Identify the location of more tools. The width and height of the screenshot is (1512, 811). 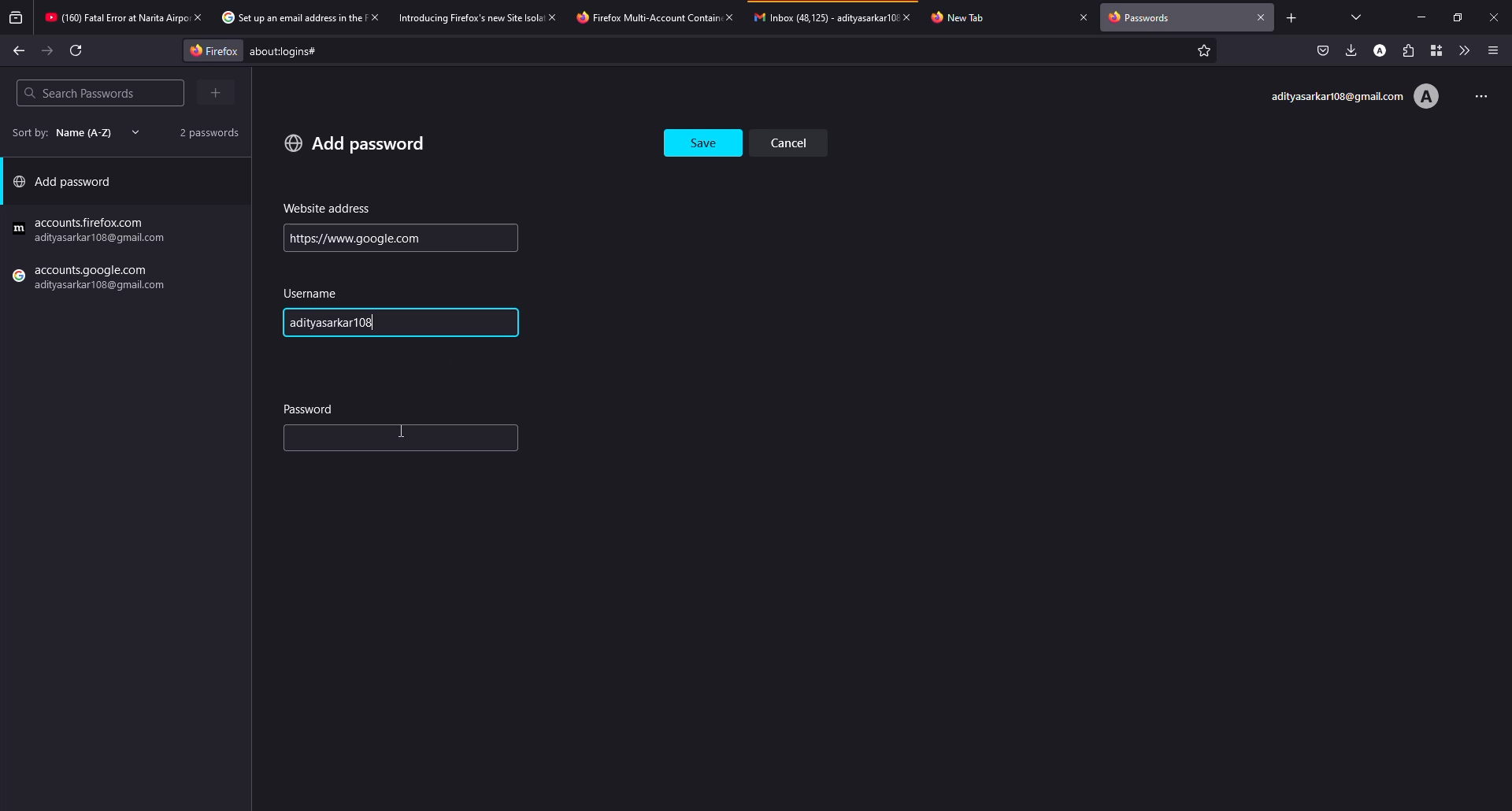
(1461, 50).